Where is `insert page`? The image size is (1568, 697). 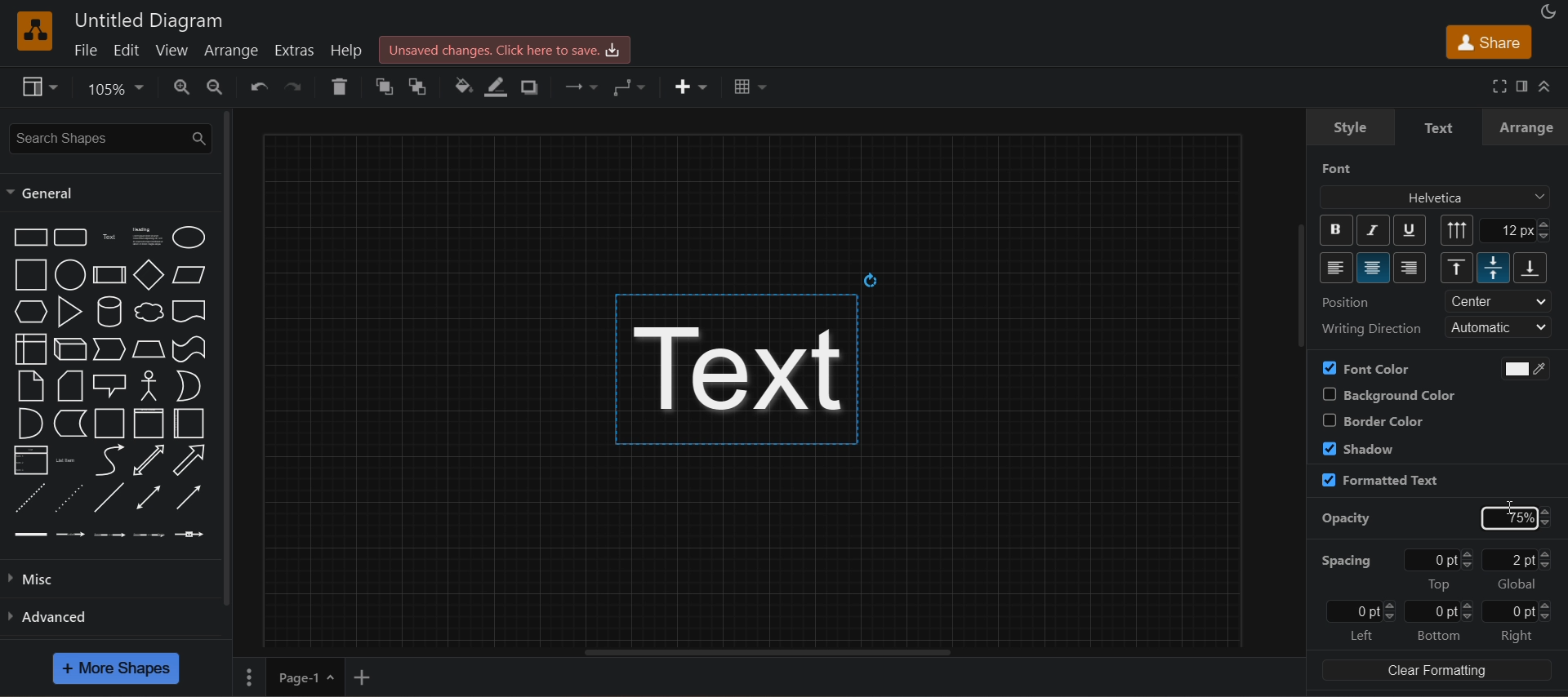 insert page is located at coordinates (362, 677).